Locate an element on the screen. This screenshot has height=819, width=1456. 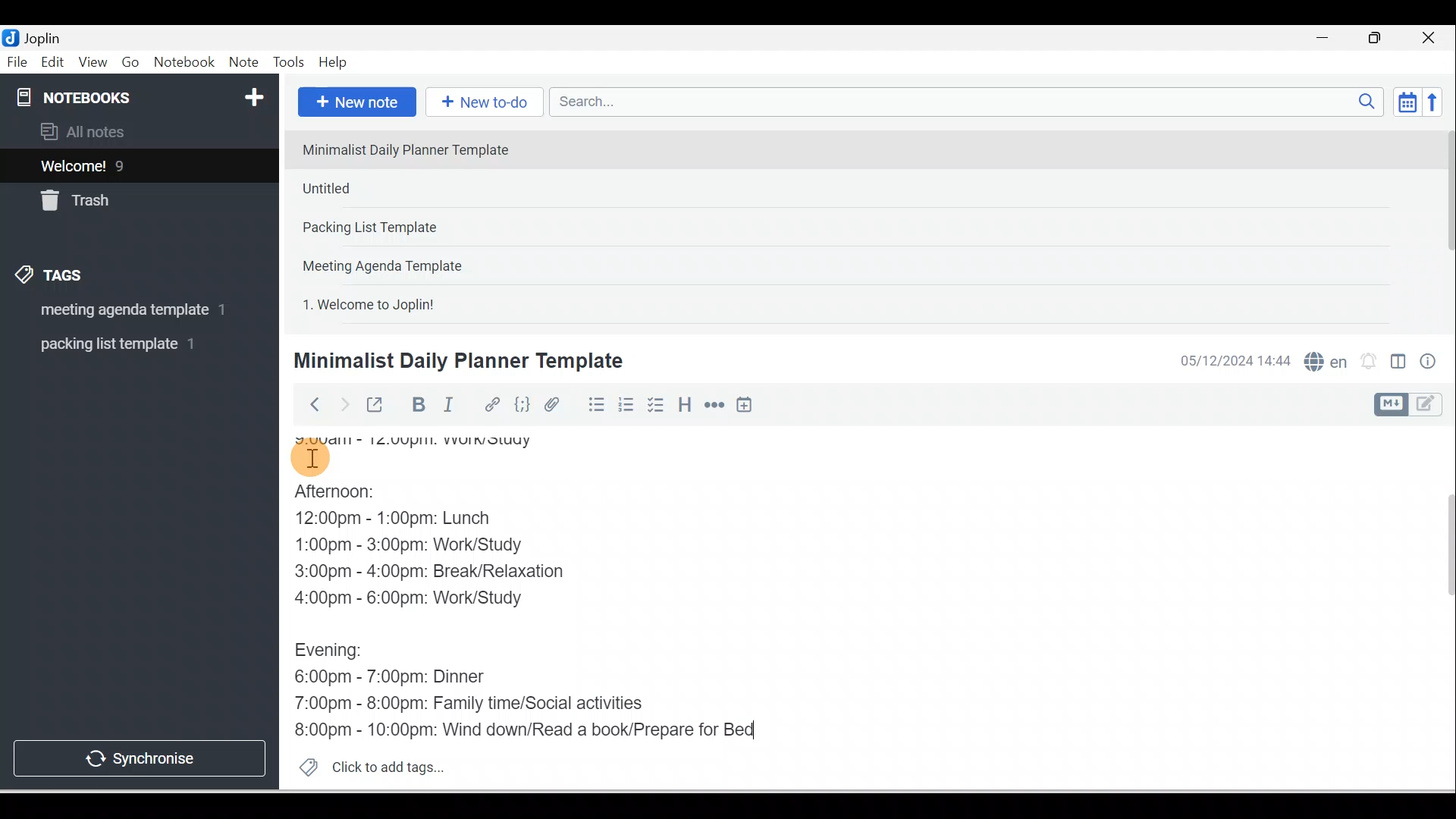
Notebook is located at coordinates (184, 63).